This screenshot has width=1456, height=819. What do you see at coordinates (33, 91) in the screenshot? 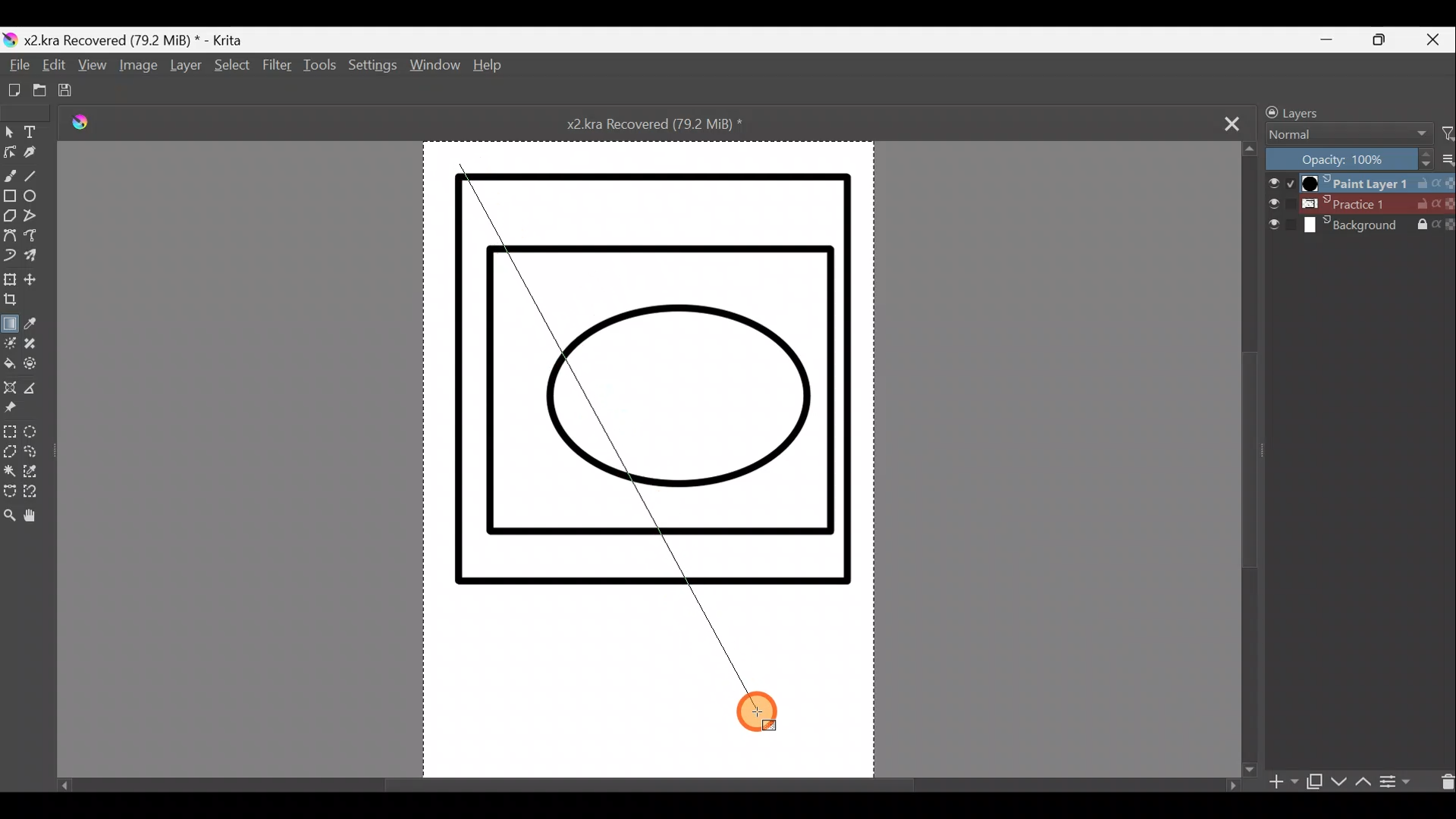
I see `Open existing document` at bounding box center [33, 91].